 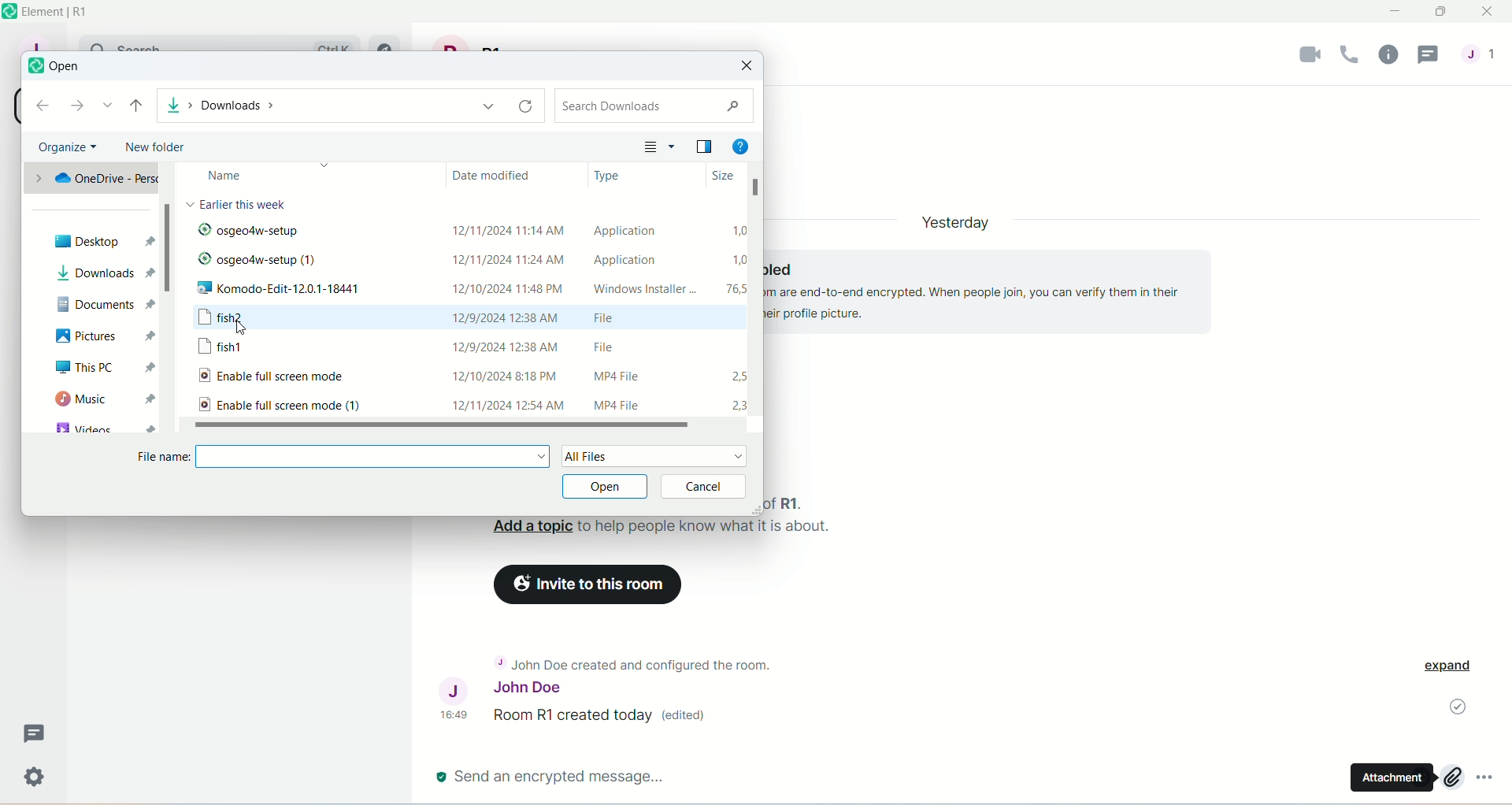 What do you see at coordinates (107, 107) in the screenshot?
I see `recent location` at bounding box center [107, 107].